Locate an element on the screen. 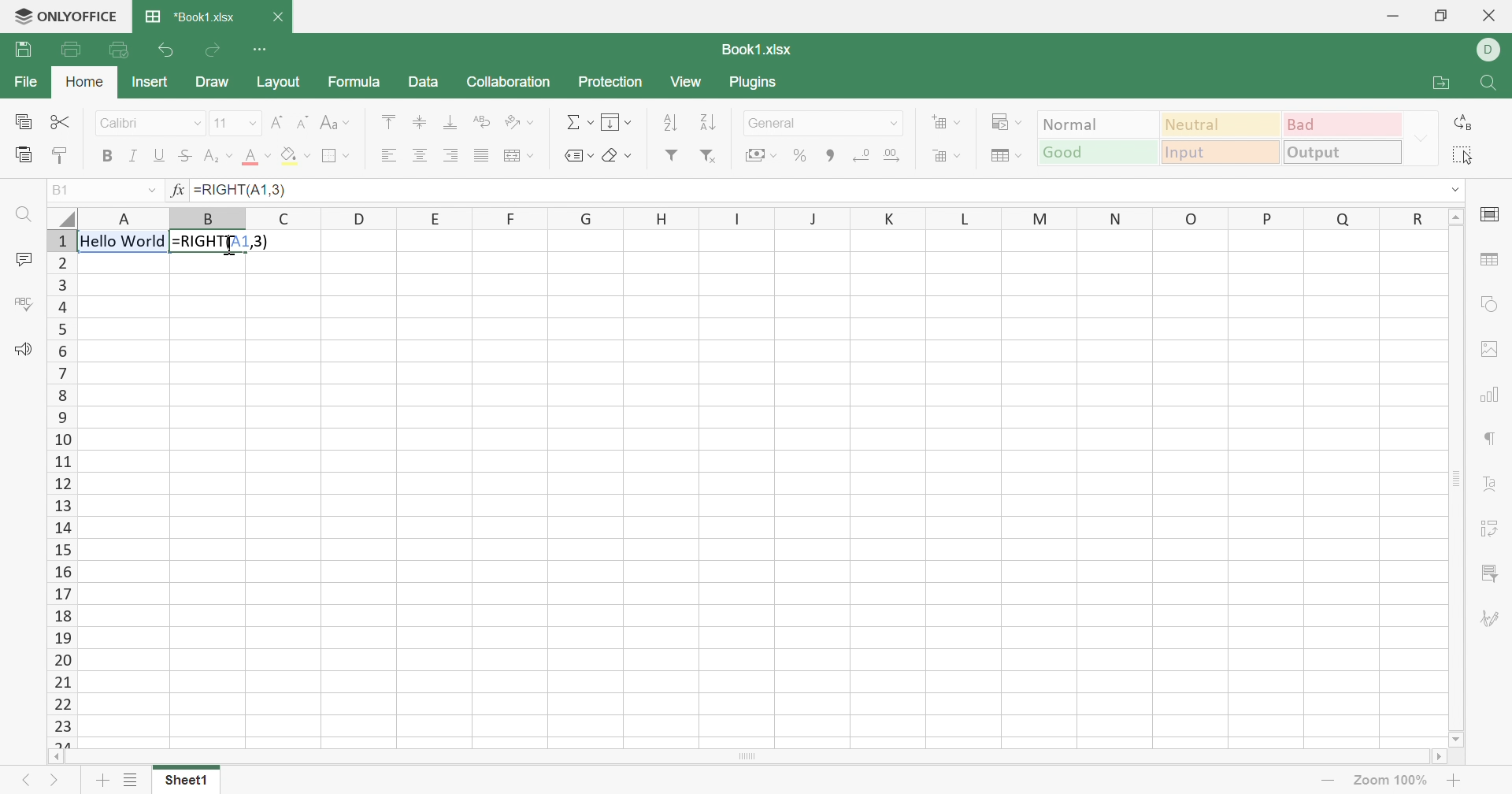  Redo is located at coordinates (213, 49).